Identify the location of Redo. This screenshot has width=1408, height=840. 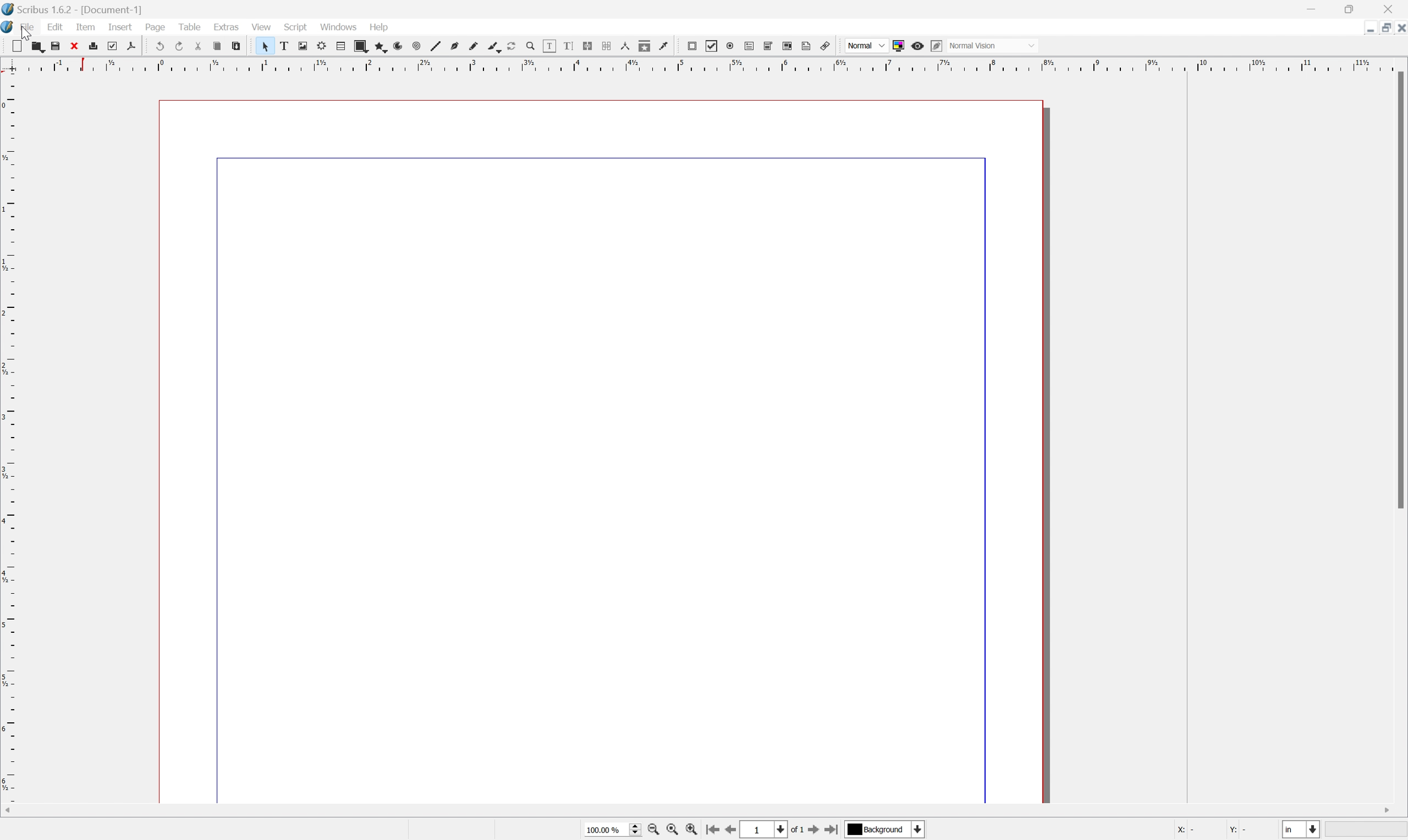
(179, 46).